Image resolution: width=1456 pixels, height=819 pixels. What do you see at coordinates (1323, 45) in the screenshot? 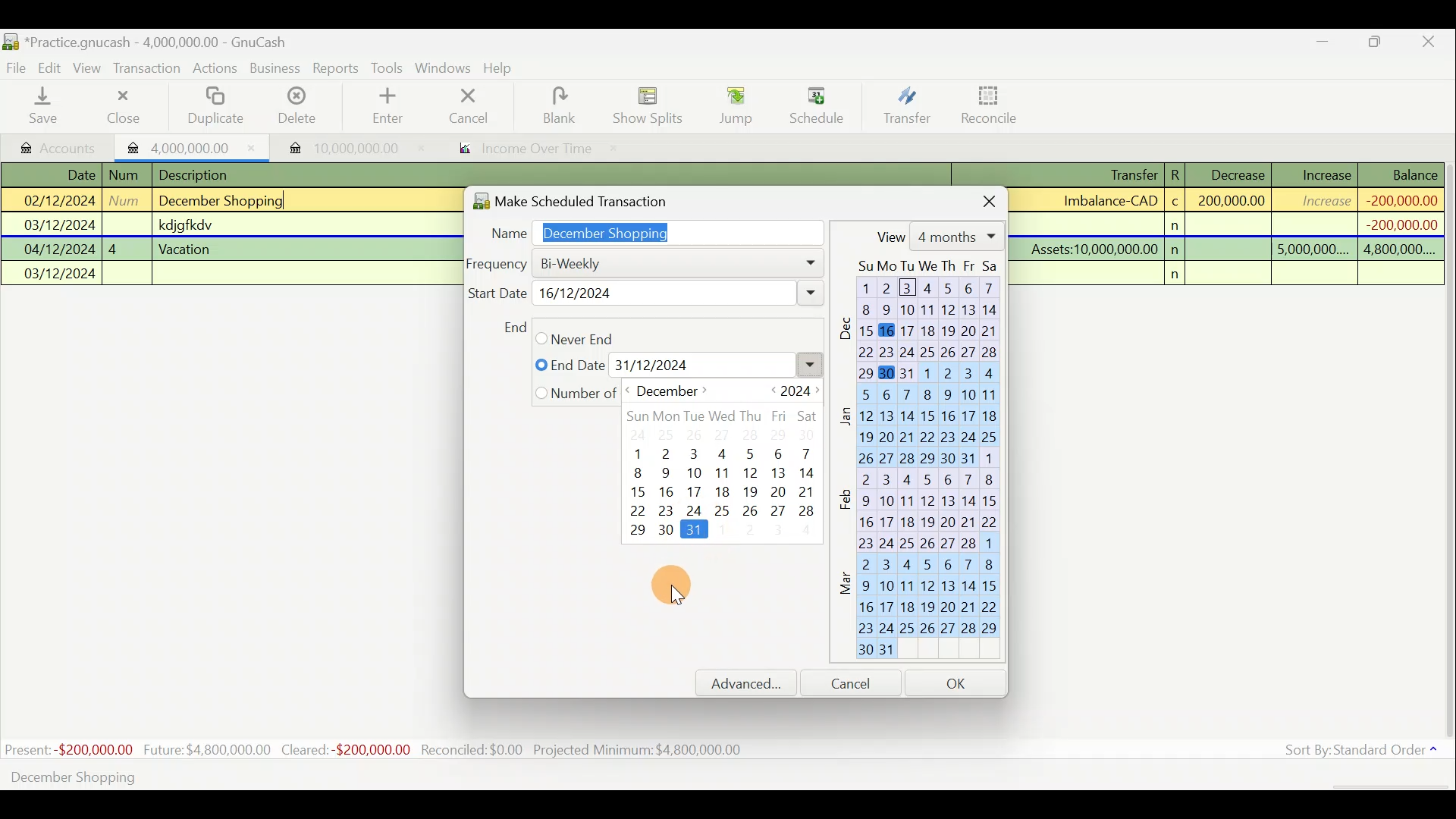
I see `Minimise` at bounding box center [1323, 45].